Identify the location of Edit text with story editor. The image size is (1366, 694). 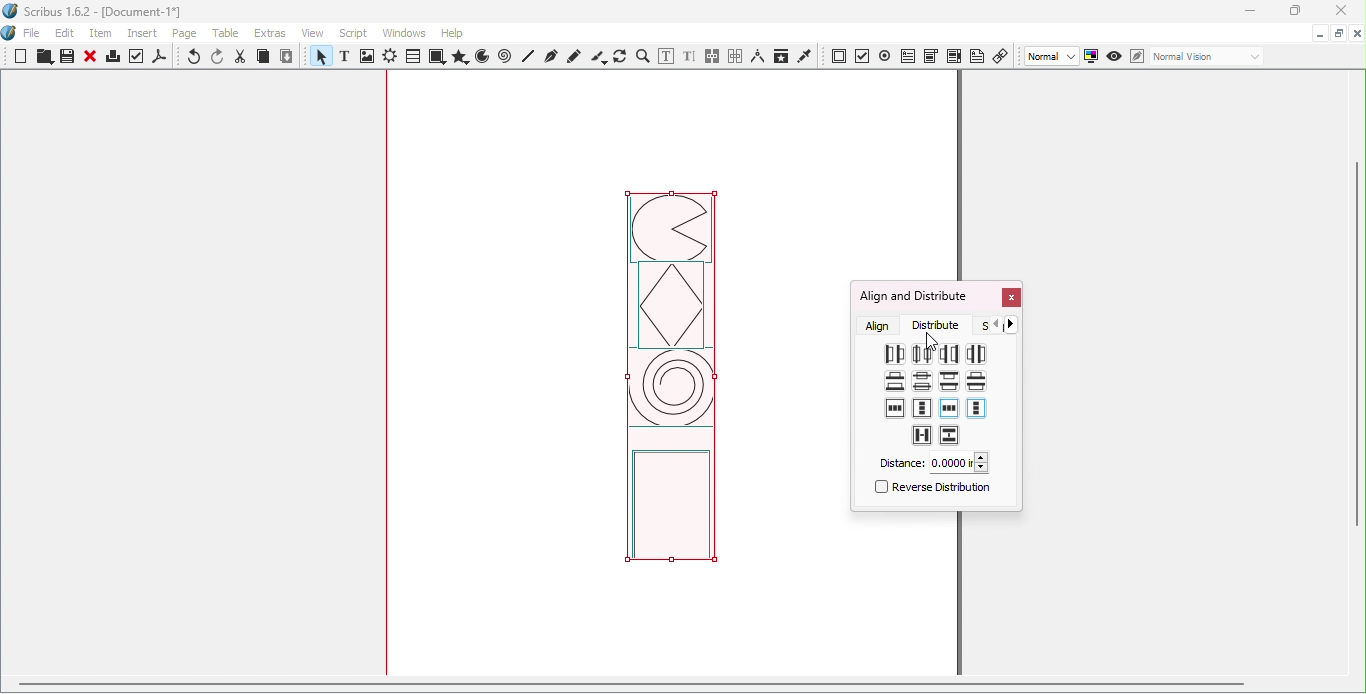
(689, 57).